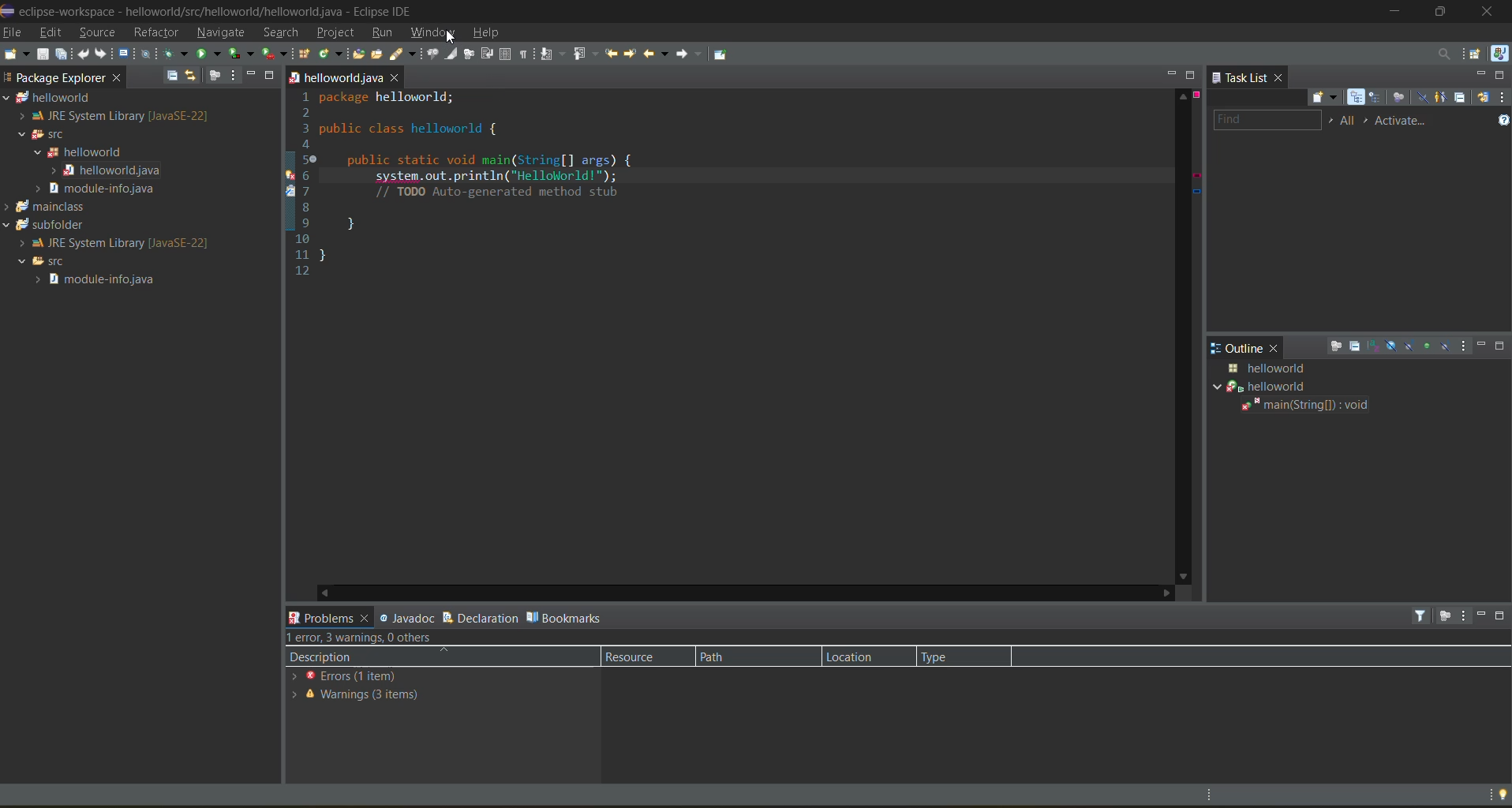 The width and height of the screenshot is (1512, 808). What do you see at coordinates (378, 54) in the screenshot?
I see `open task` at bounding box center [378, 54].